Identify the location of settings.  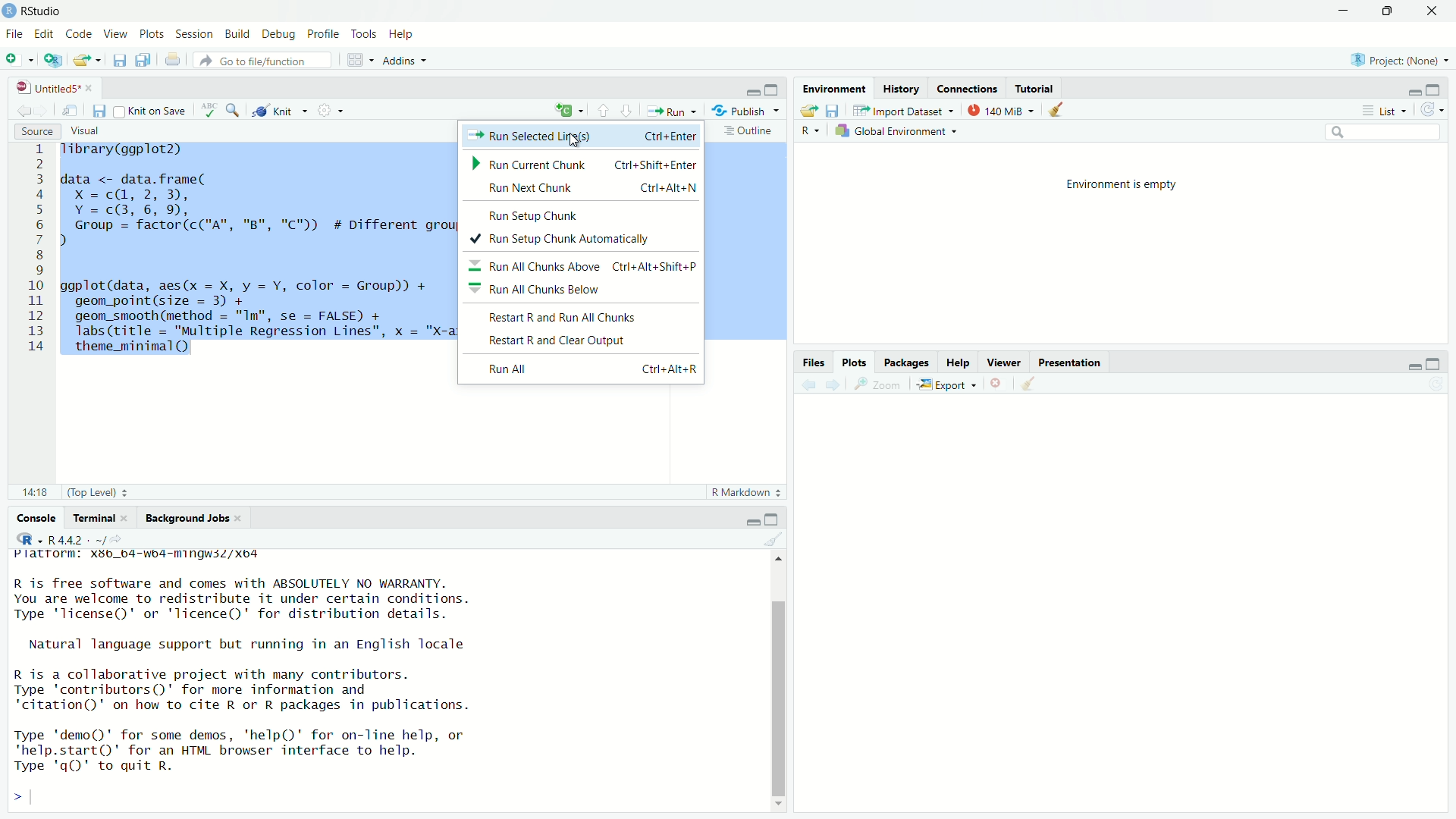
(335, 112).